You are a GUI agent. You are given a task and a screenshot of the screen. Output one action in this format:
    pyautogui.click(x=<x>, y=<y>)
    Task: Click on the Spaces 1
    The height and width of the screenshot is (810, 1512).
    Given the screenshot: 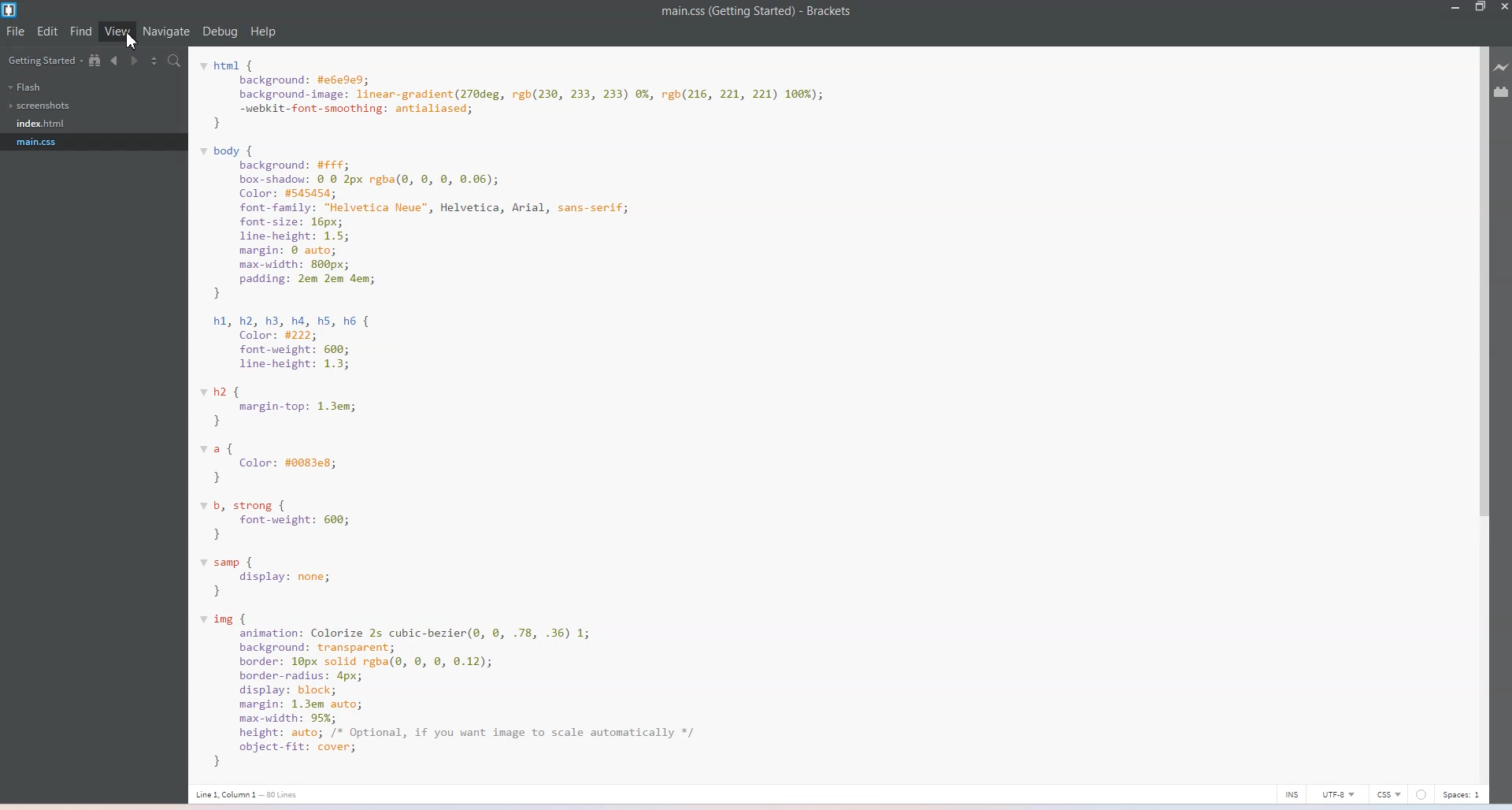 What is the action you would take?
    pyautogui.click(x=1460, y=795)
    